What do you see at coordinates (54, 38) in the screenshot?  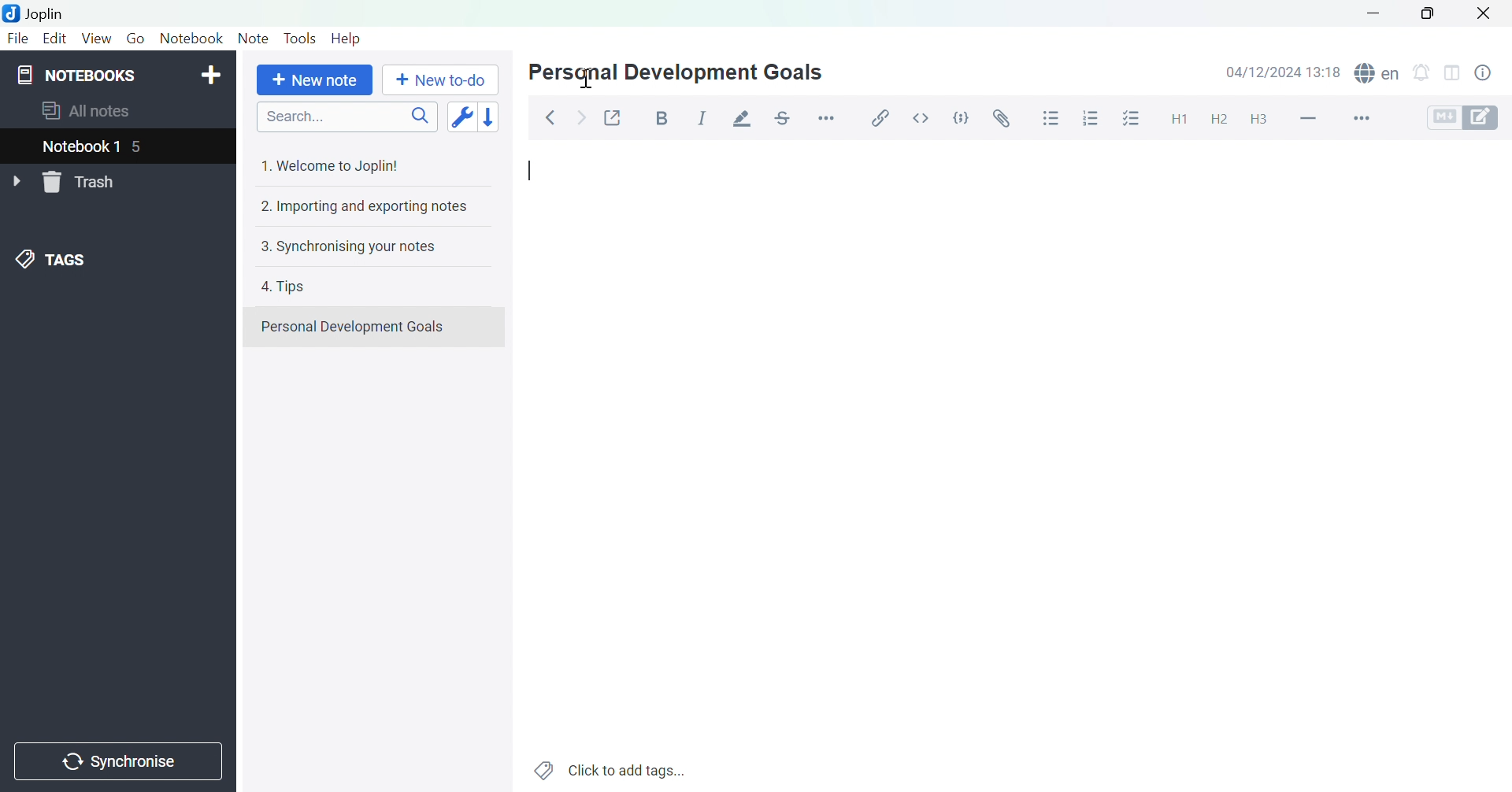 I see `Edit` at bounding box center [54, 38].